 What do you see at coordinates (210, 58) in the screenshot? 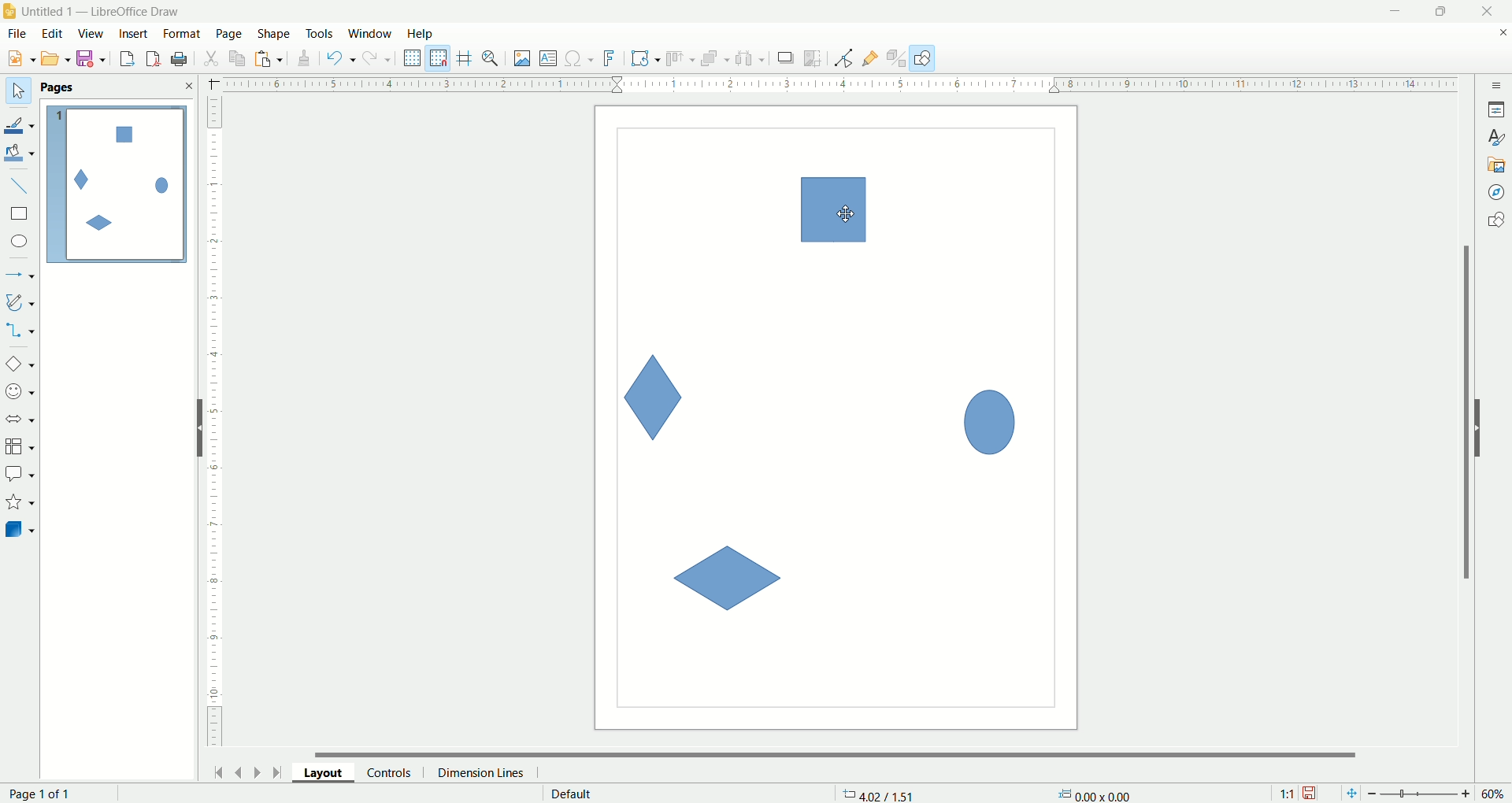
I see `cut` at bounding box center [210, 58].